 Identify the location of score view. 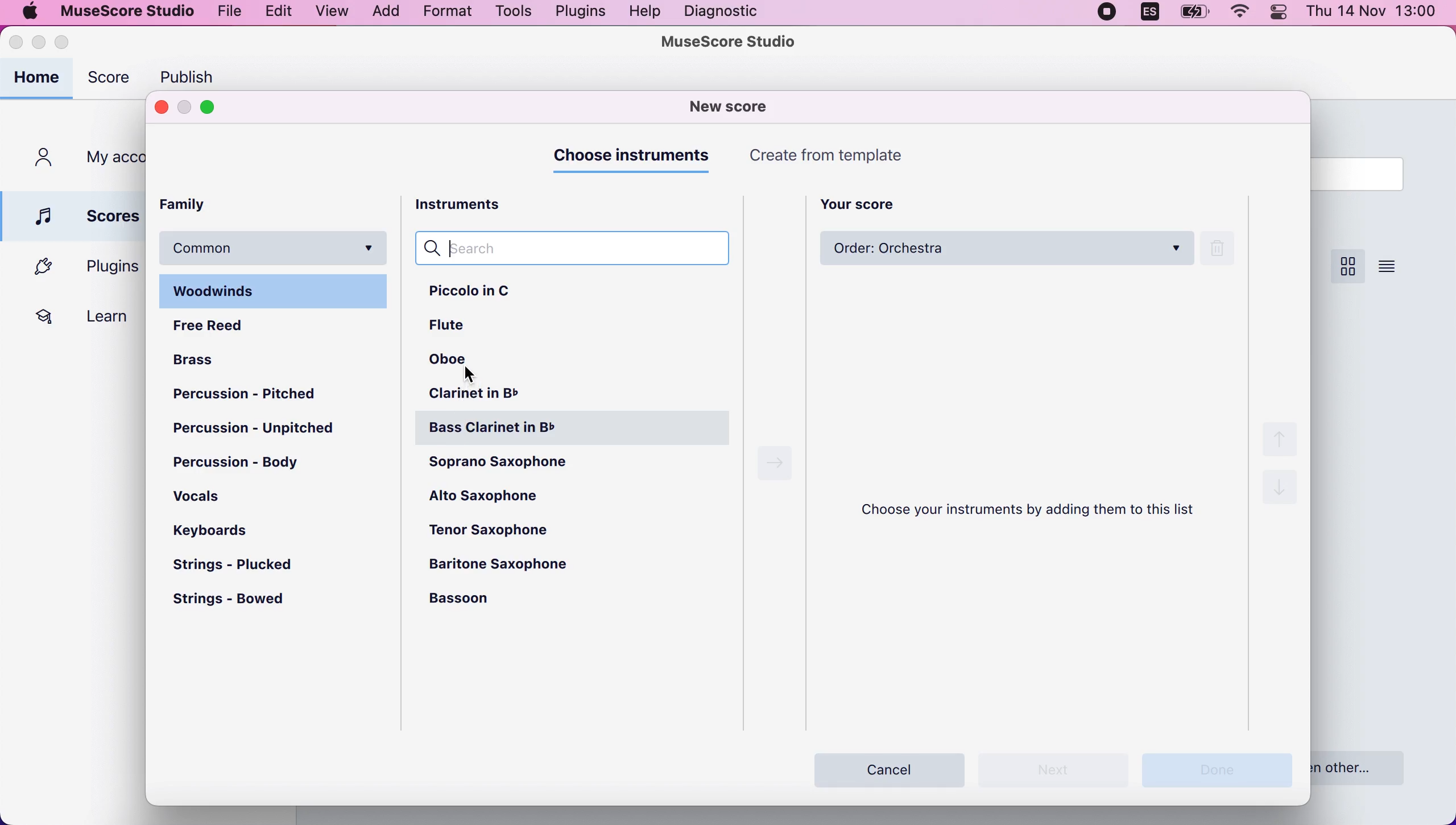
(1346, 267).